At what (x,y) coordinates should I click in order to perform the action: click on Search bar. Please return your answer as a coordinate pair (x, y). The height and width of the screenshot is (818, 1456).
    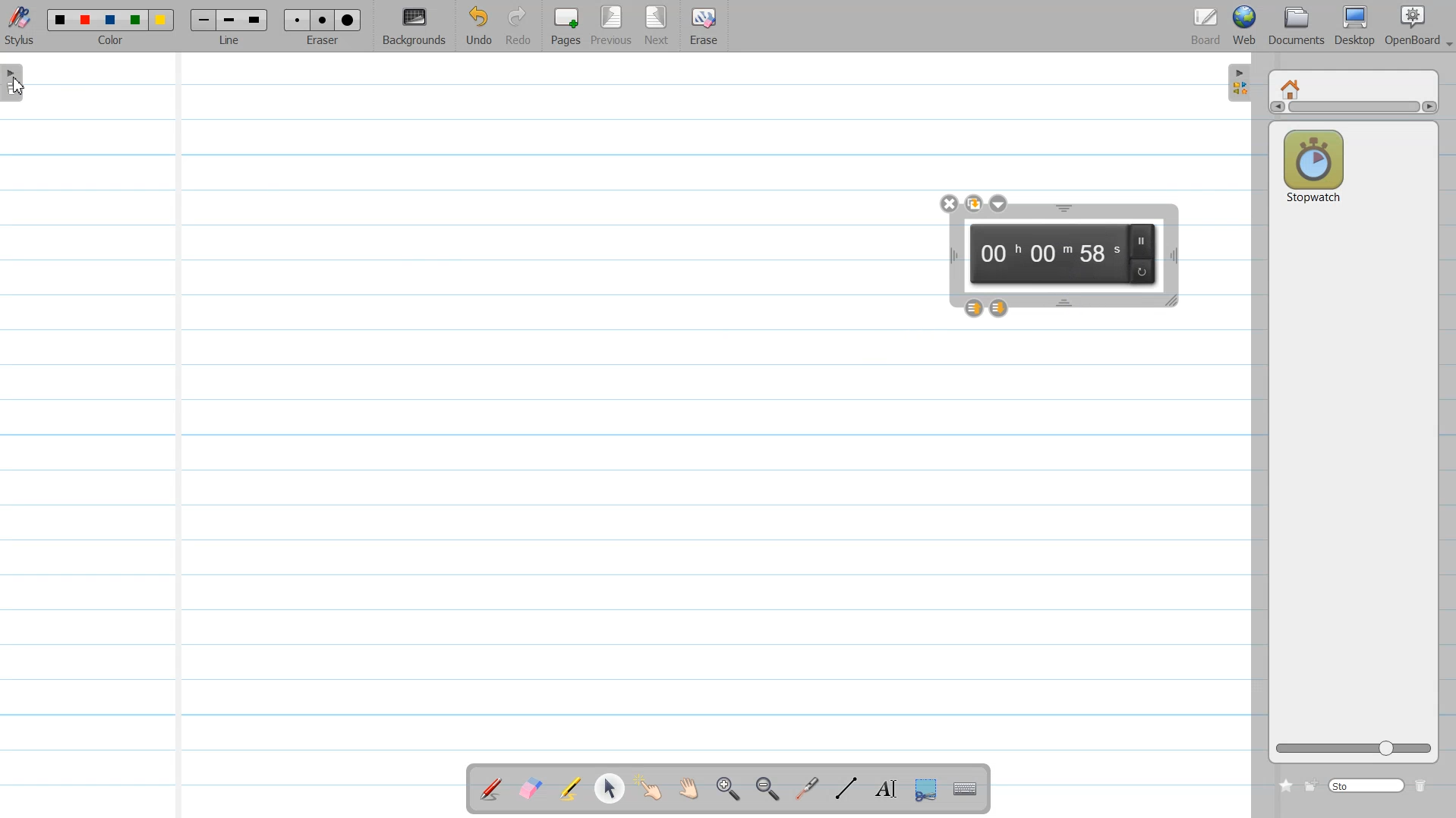
    Looking at the image, I should click on (1367, 785).